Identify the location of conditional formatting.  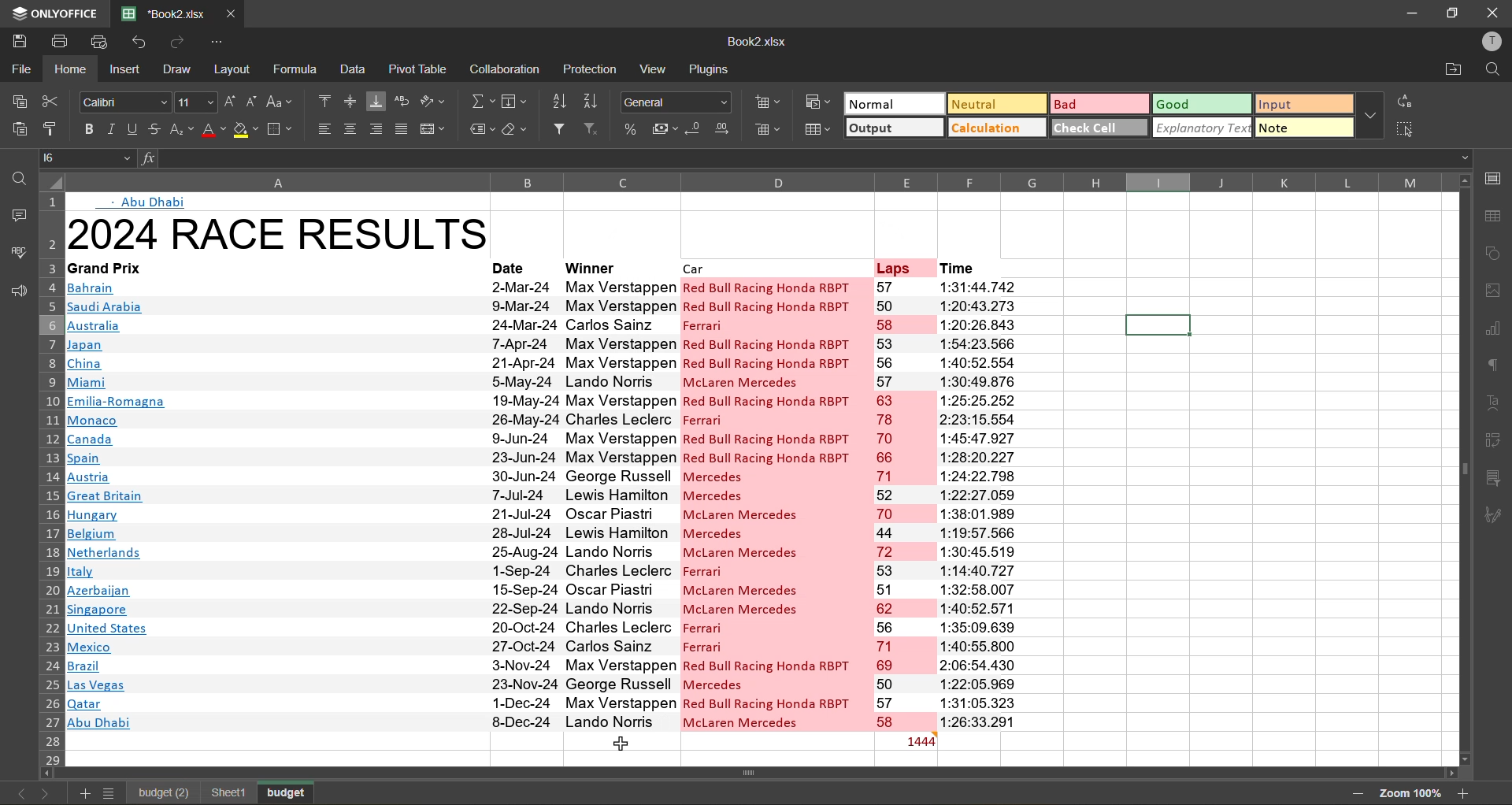
(817, 101).